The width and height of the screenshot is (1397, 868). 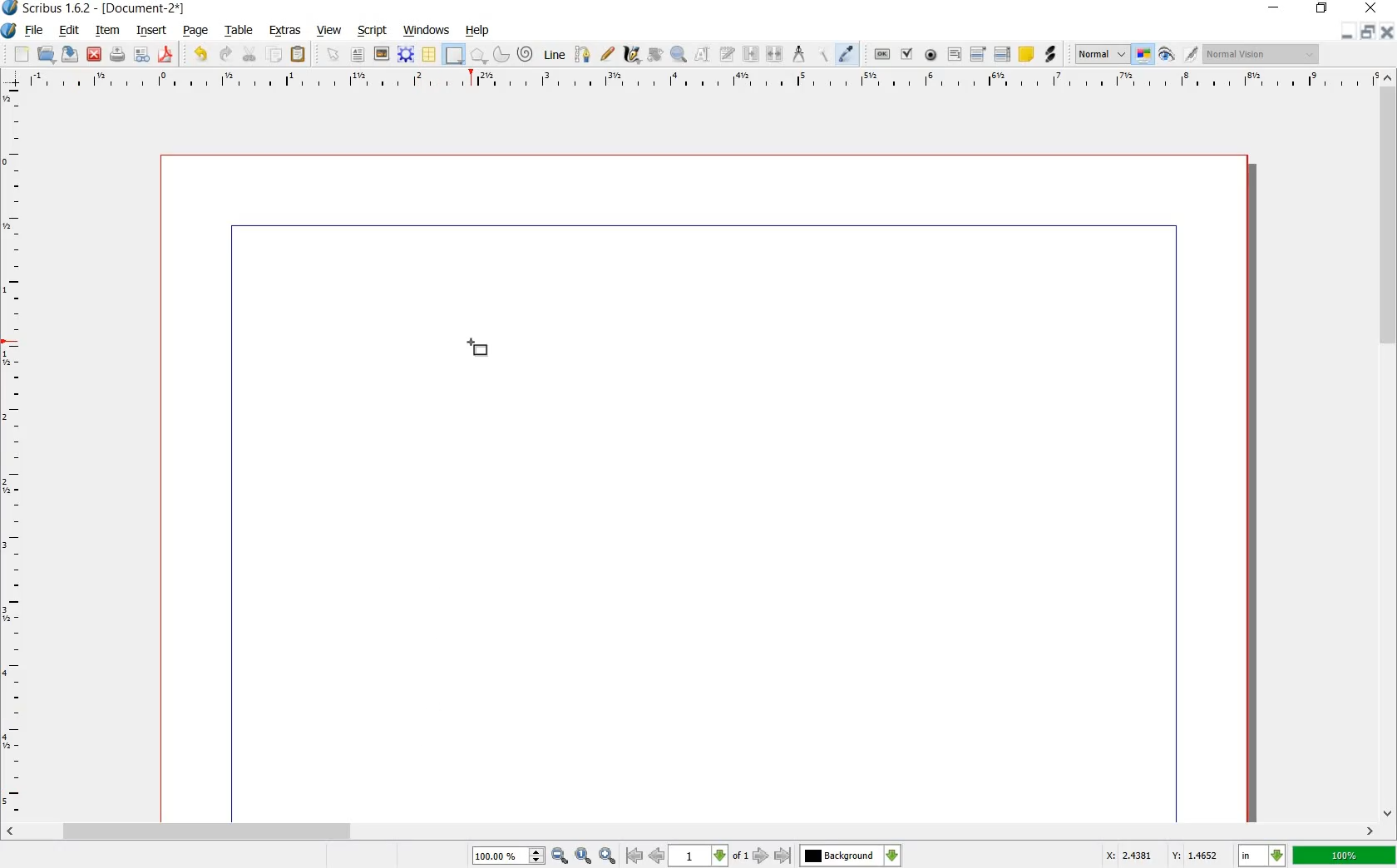 What do you see at coordinates (690, 831) in the screenshot?
I see `SCROLLBAR` at bounding box center [690, 831].